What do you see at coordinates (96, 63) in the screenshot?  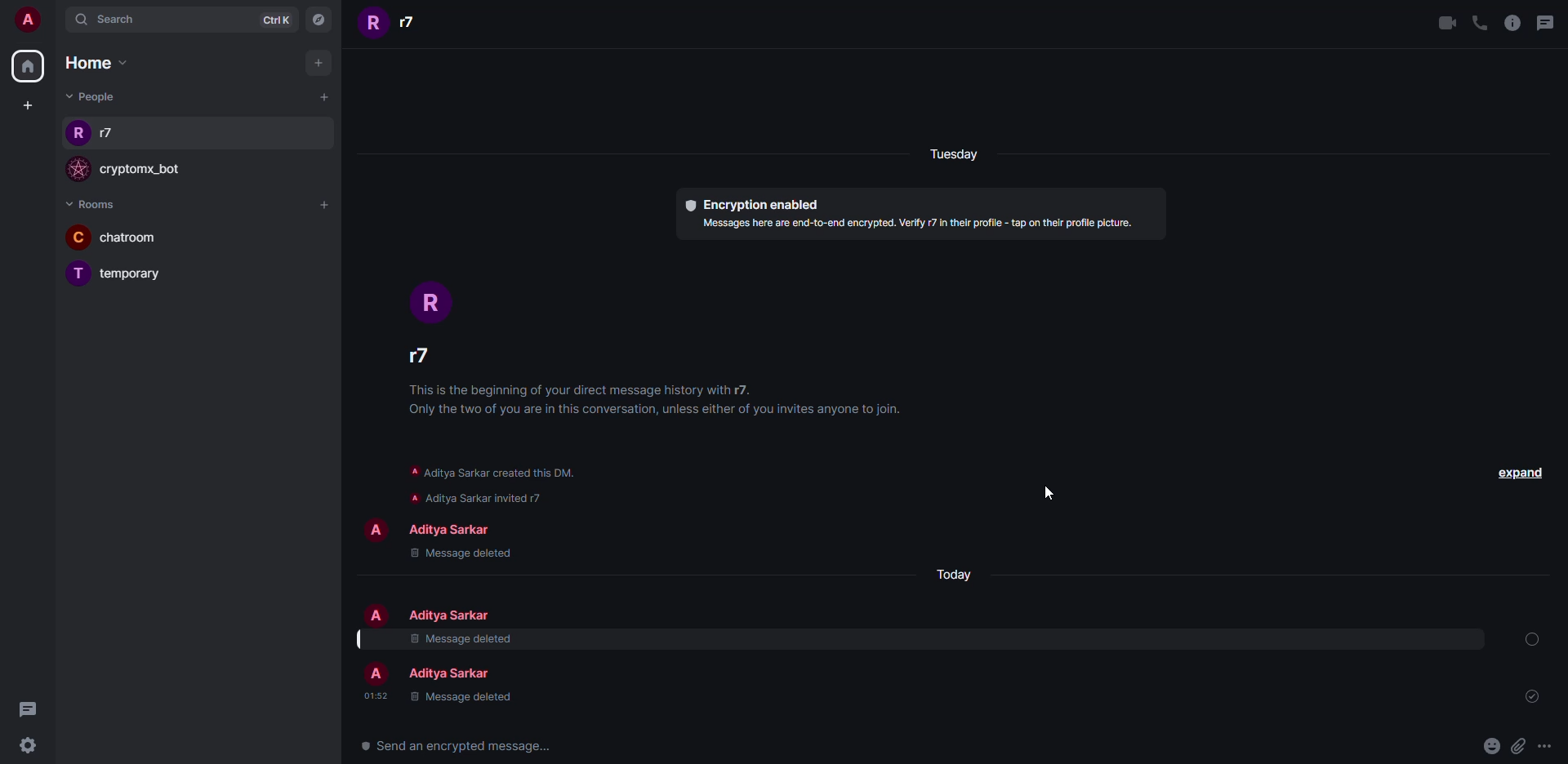 I see `home` at bounding box center [96, 63].